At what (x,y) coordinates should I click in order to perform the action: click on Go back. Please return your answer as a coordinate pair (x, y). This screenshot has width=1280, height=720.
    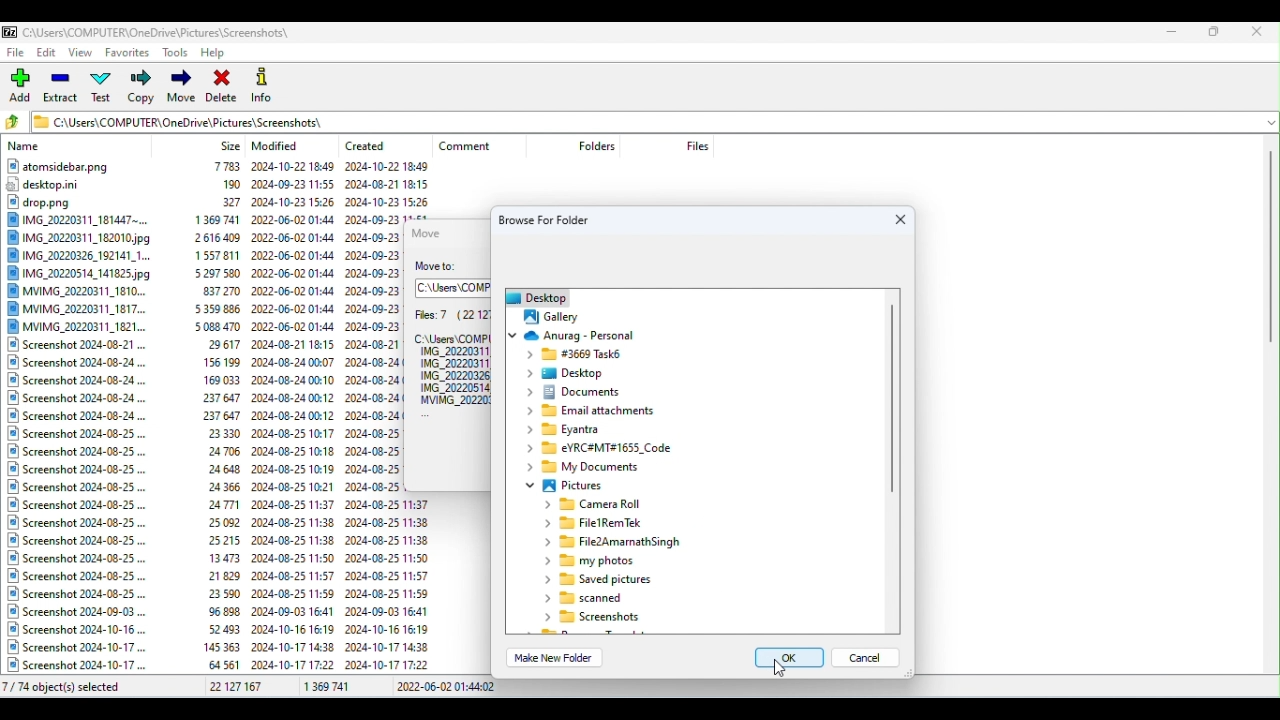
    Looking at the image, I should click on (16, 123).